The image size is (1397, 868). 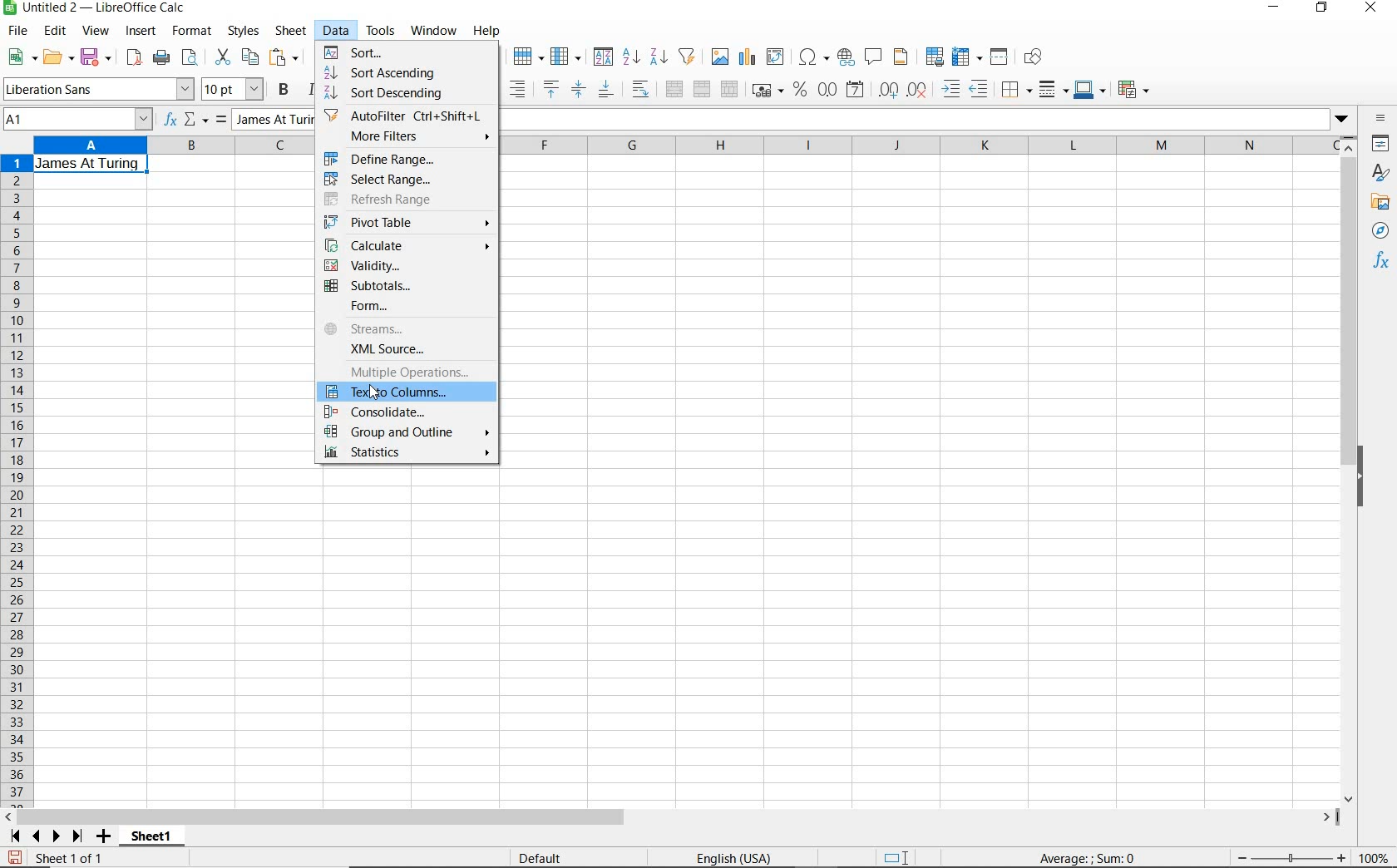 I want to click on insert comment, so click(x=875, y=57).